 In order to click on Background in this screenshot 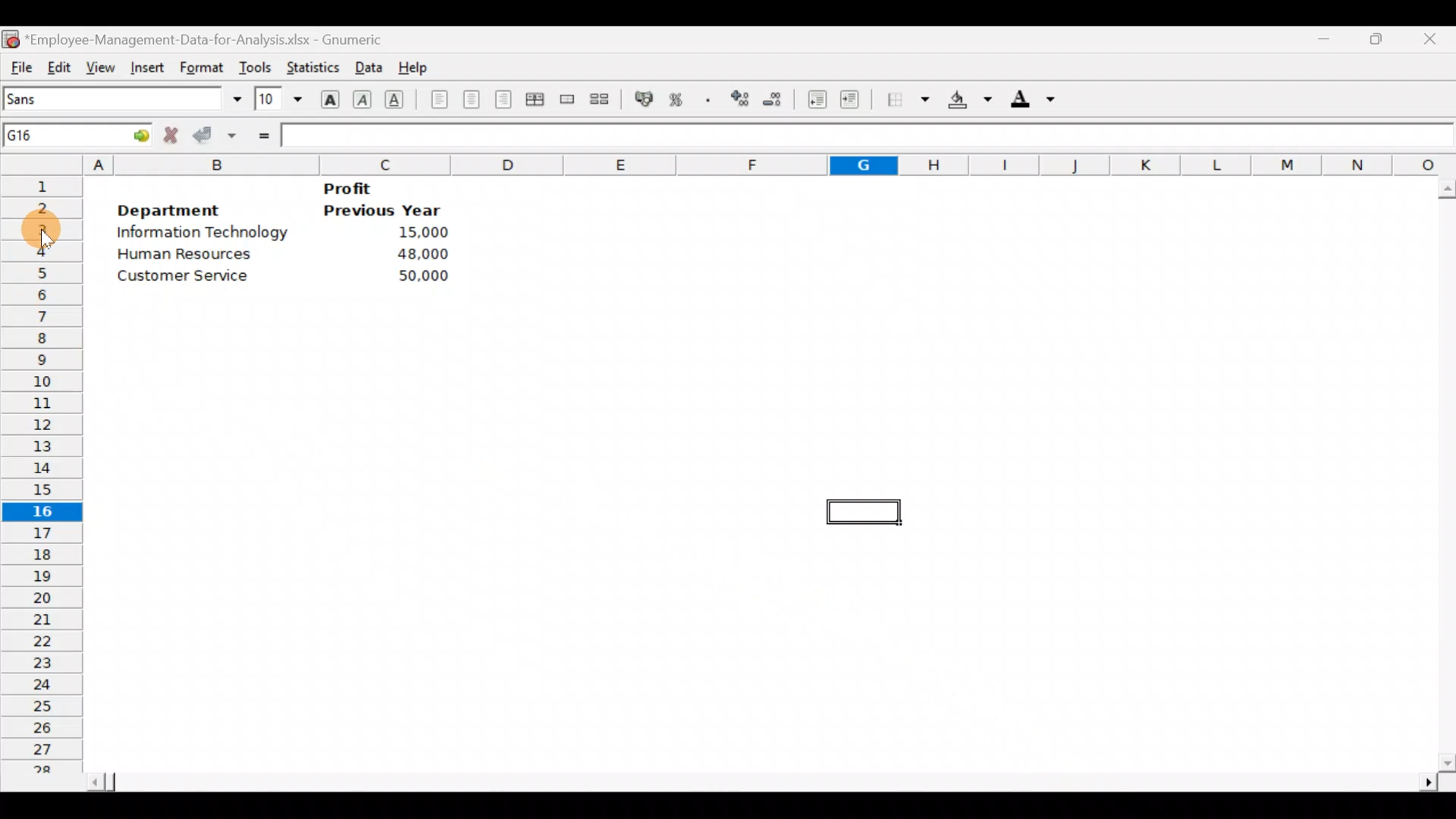, I will do `click(969, 104)`.